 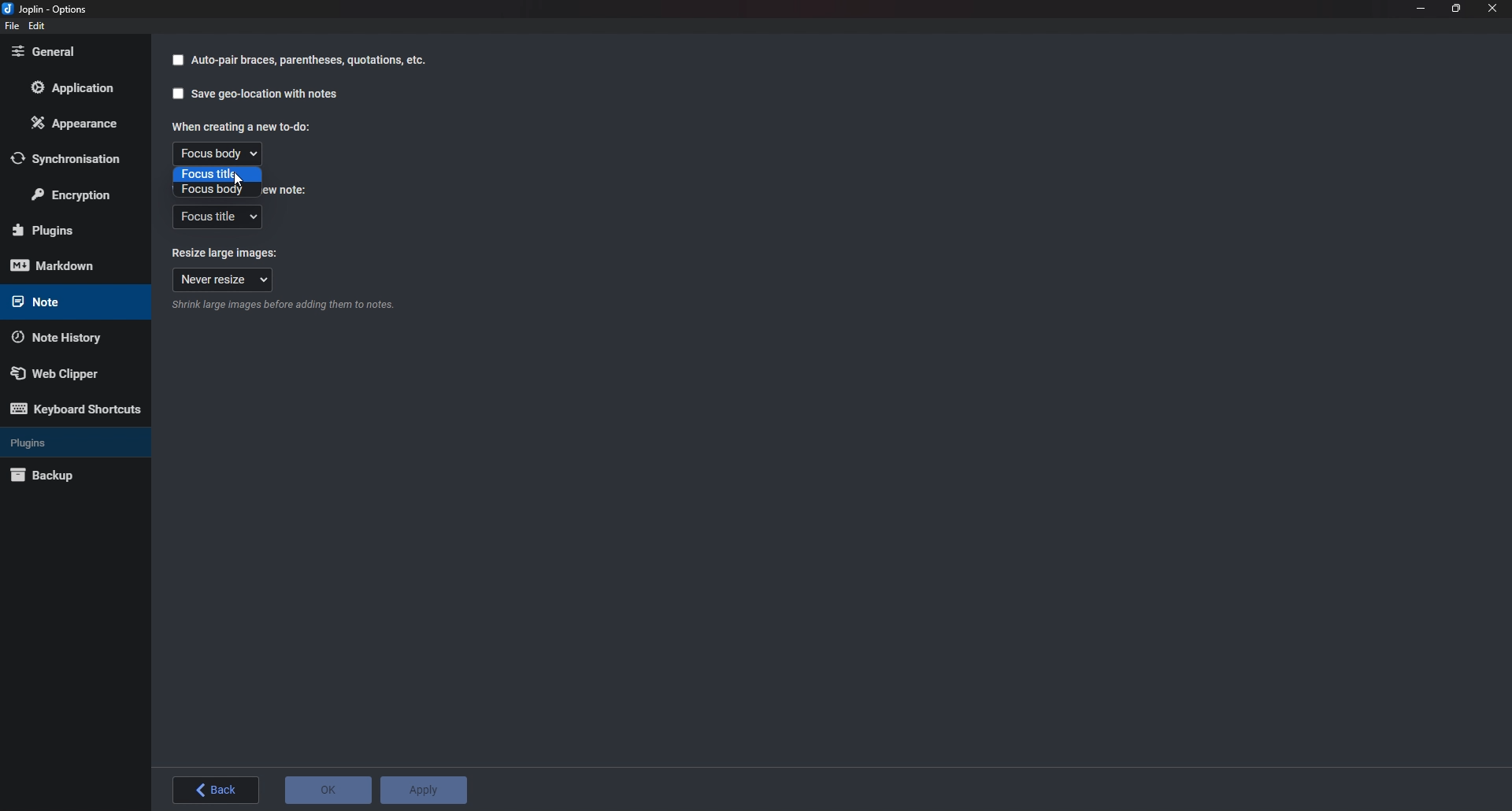 I want to click on joplin, so click(x=50, y=8).